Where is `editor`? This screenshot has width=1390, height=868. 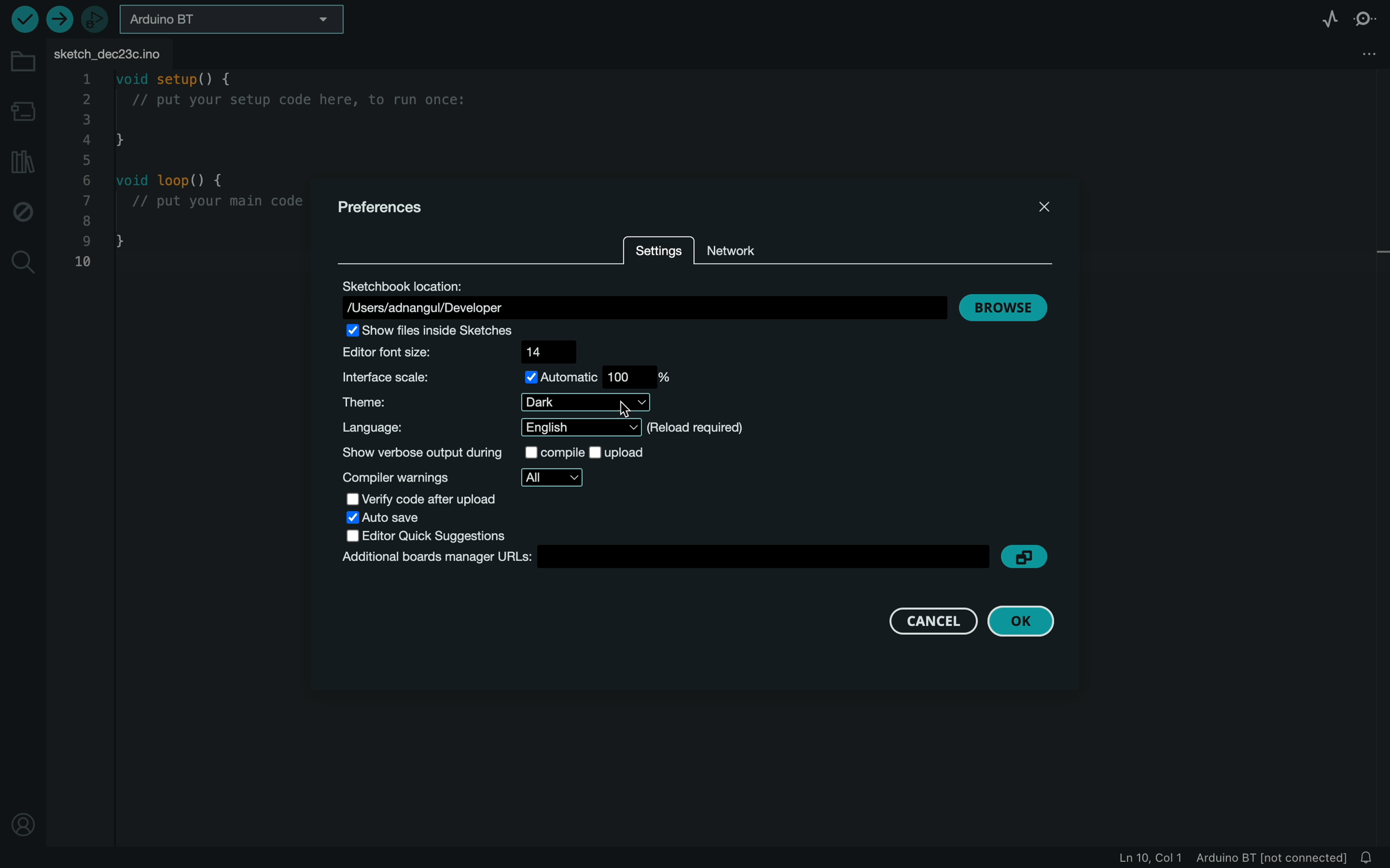
editor is located at coordinates (437, 536).